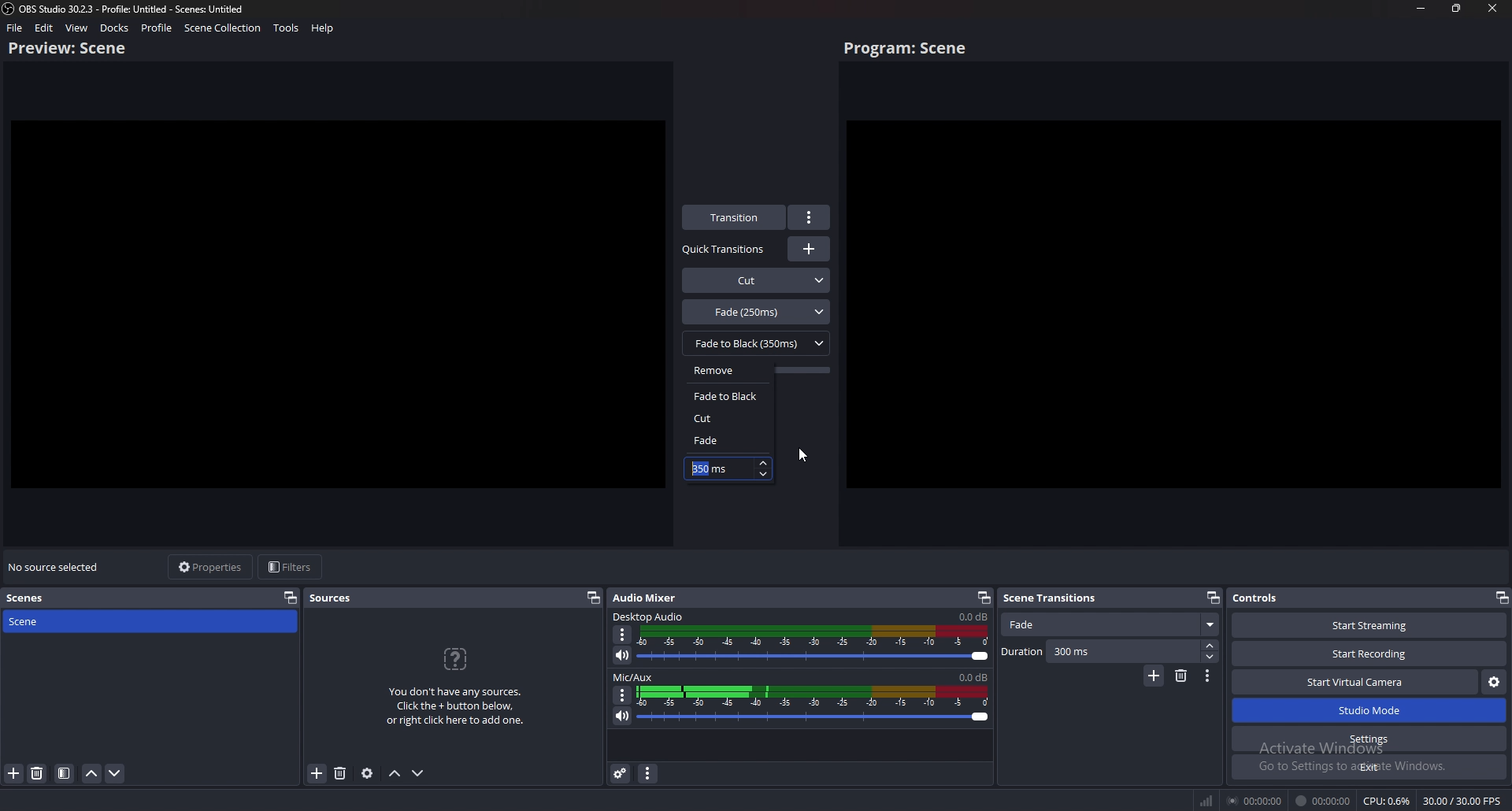  What do you see at coordinates (368, 773) in the screenshot?
I see `Sources settings` at bounding box center [368, 773].